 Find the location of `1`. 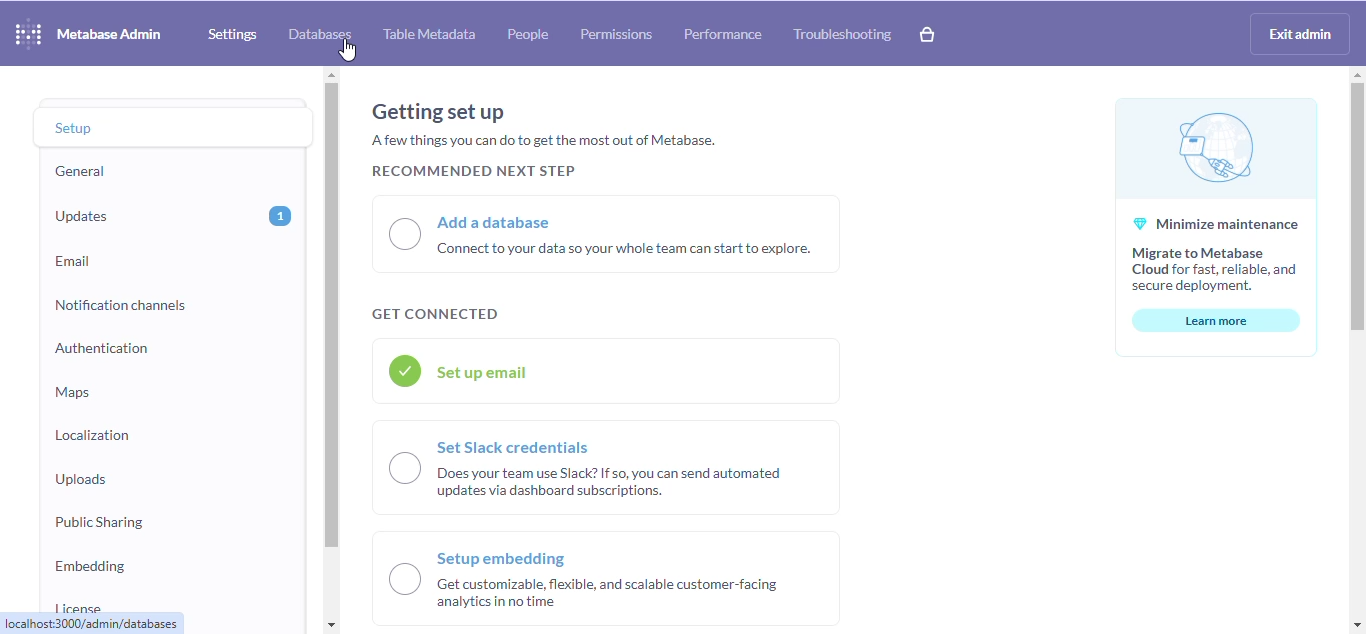

1 is located at coordinates (281, 216).